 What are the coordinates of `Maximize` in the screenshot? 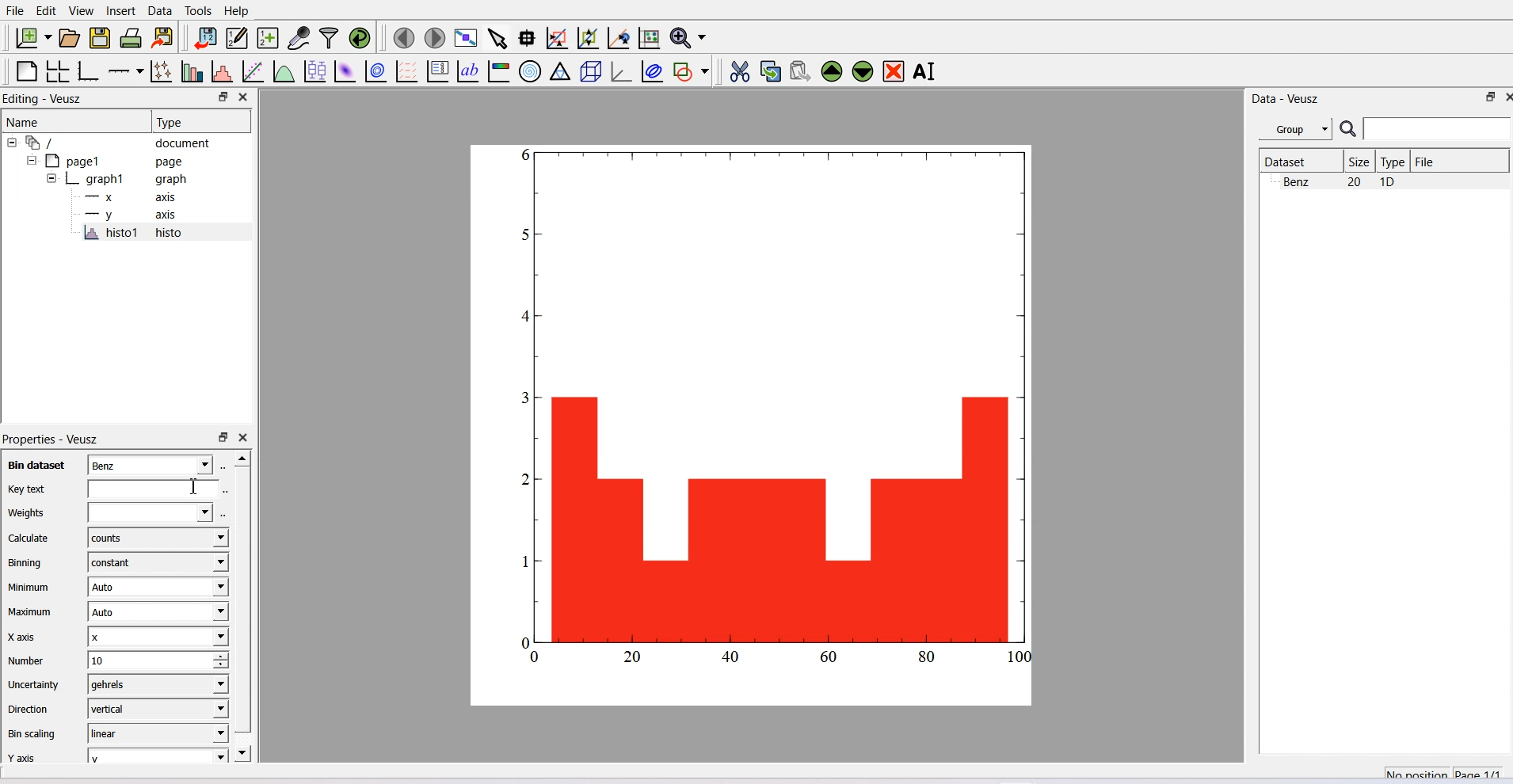 It's located at (223, 97).